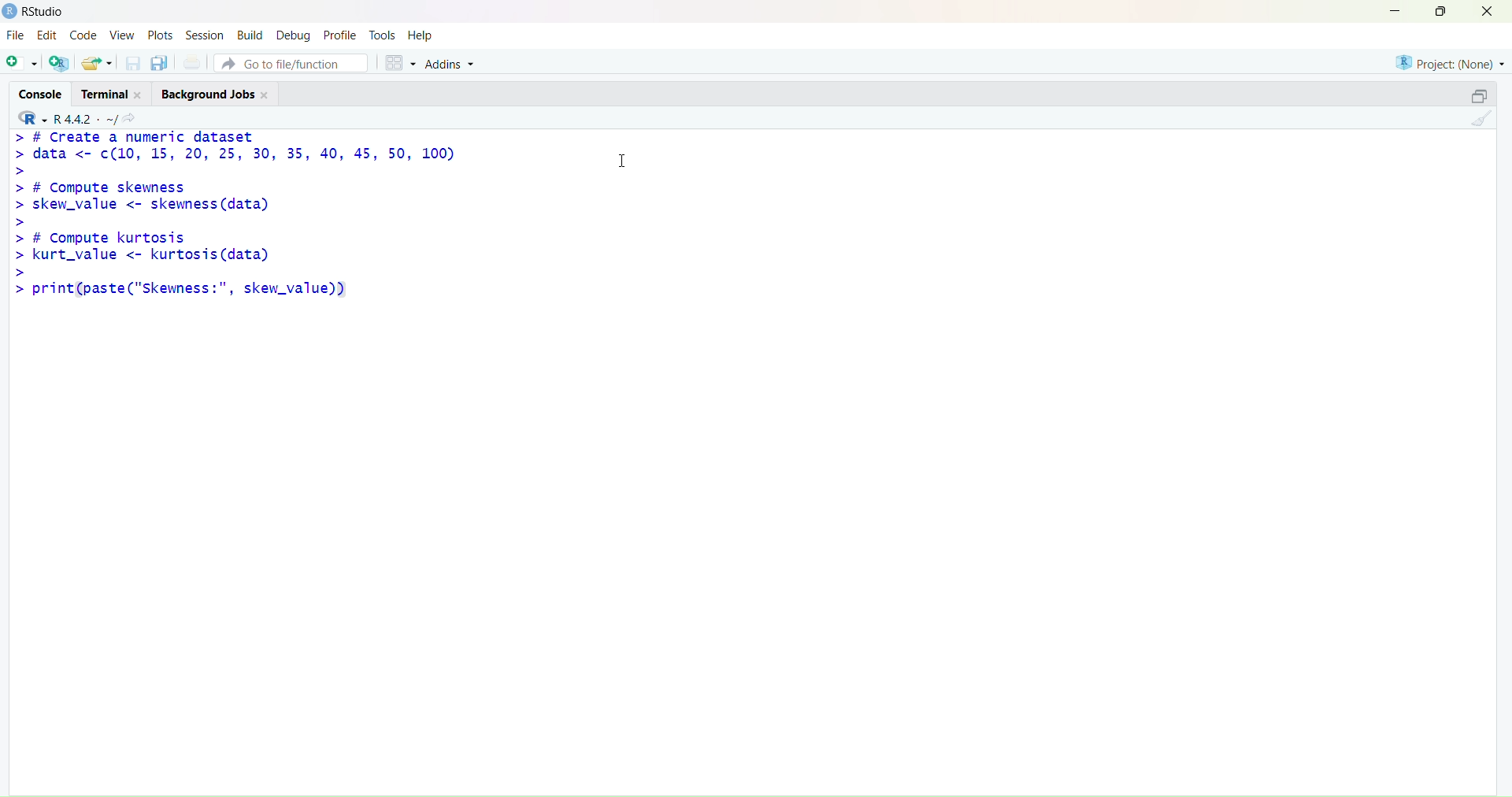 The height and width of the screenshot is (797, 1512). What do you see at coordinates (116, 93) in the screenshot?
I see `Terminal` at bounding box center [116, 93].